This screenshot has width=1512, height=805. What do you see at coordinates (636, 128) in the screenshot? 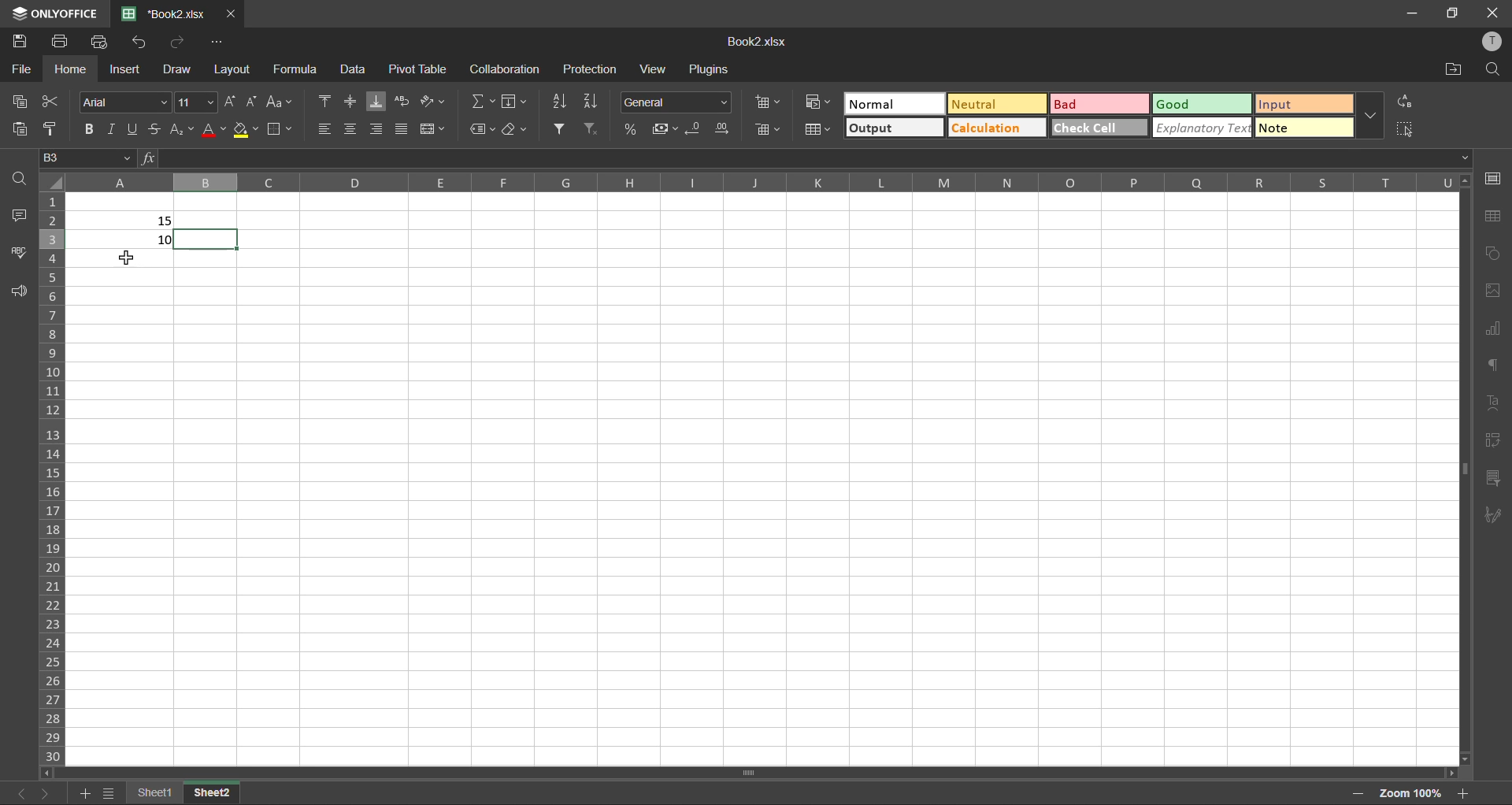
I see `percent` at bounding box center [636, 128].